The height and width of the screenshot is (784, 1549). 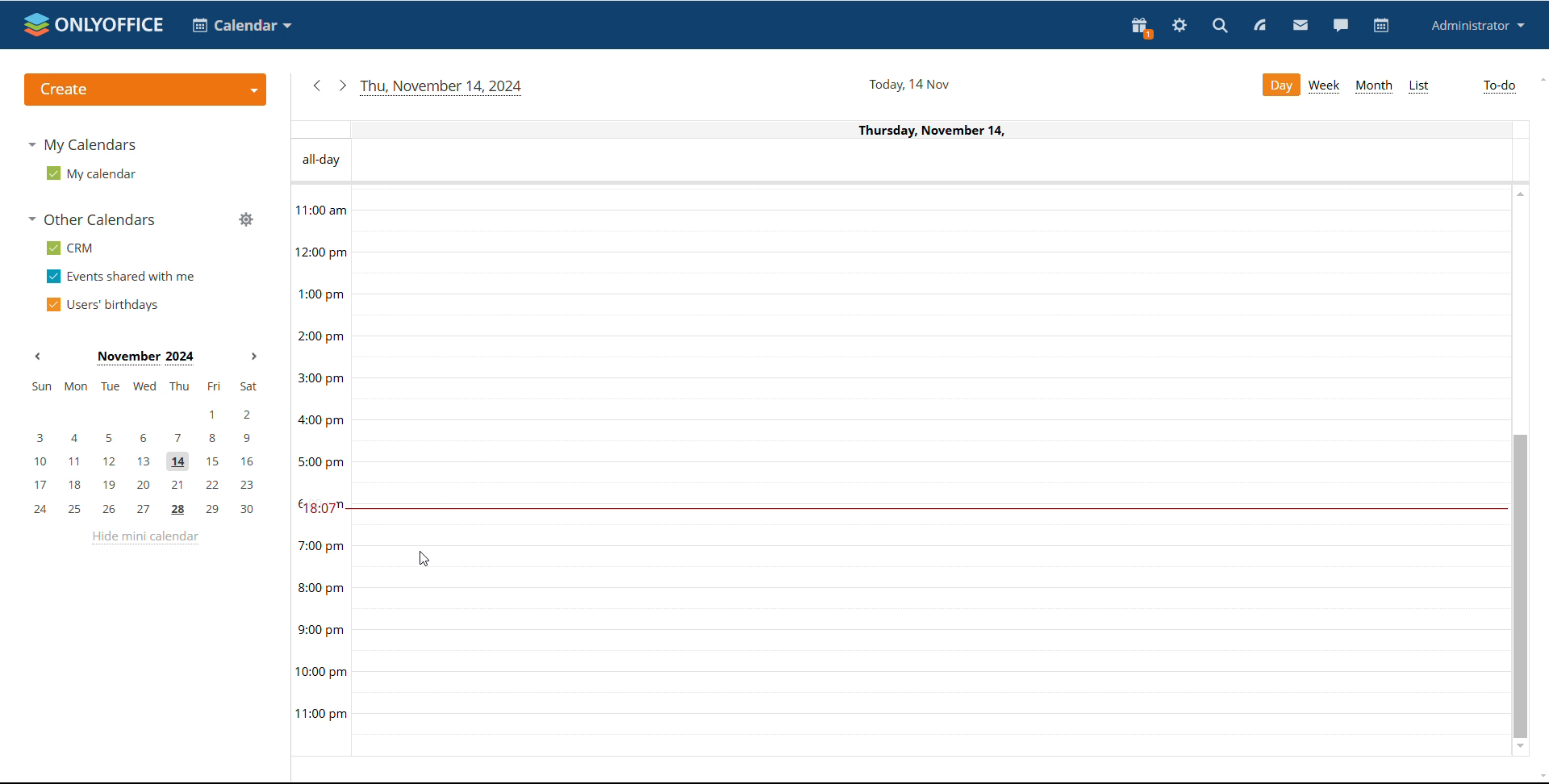 I want to click on timeline, so click(x=321, y=470).